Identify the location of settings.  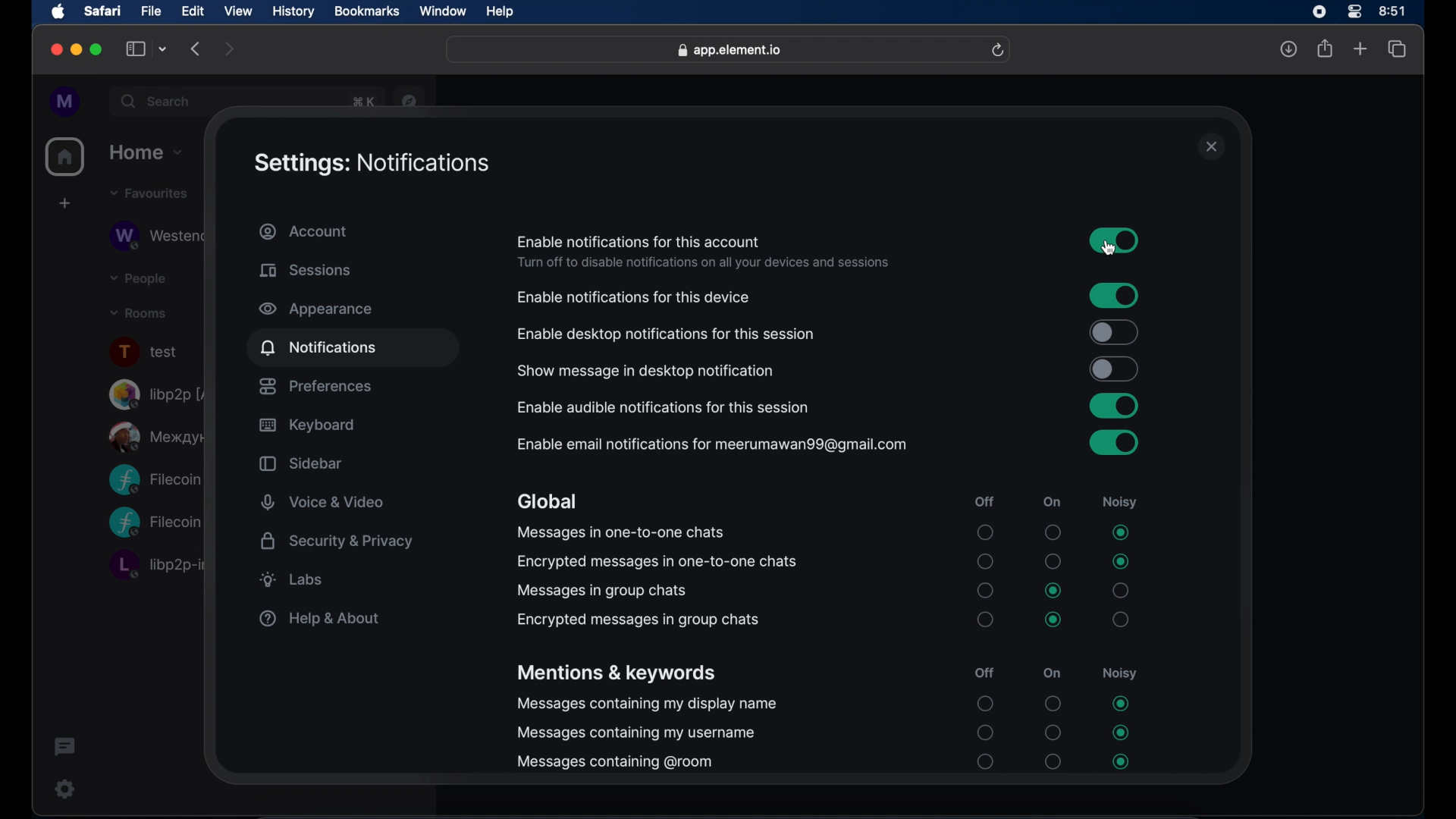
(64, 790).